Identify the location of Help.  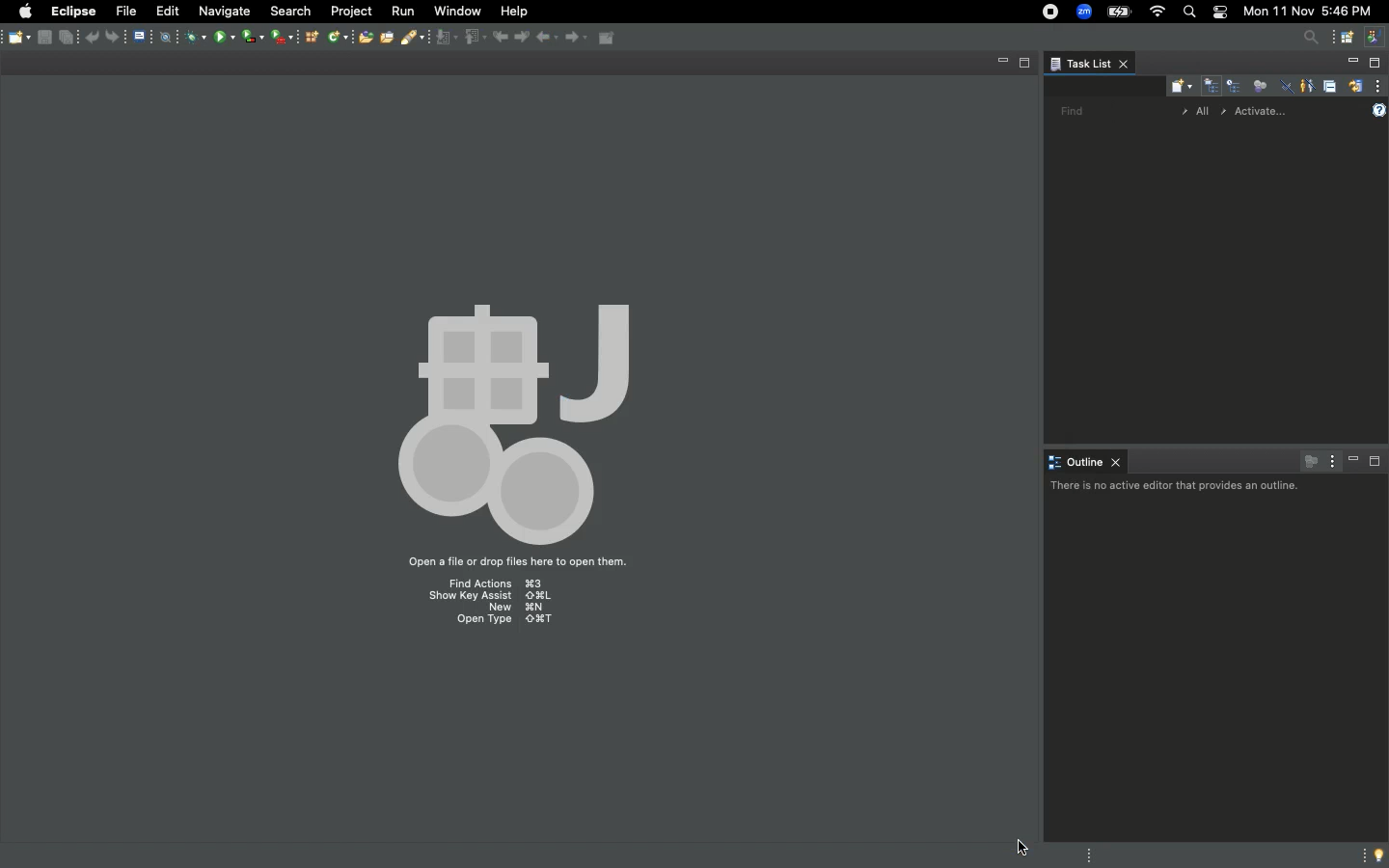
(514, 11).